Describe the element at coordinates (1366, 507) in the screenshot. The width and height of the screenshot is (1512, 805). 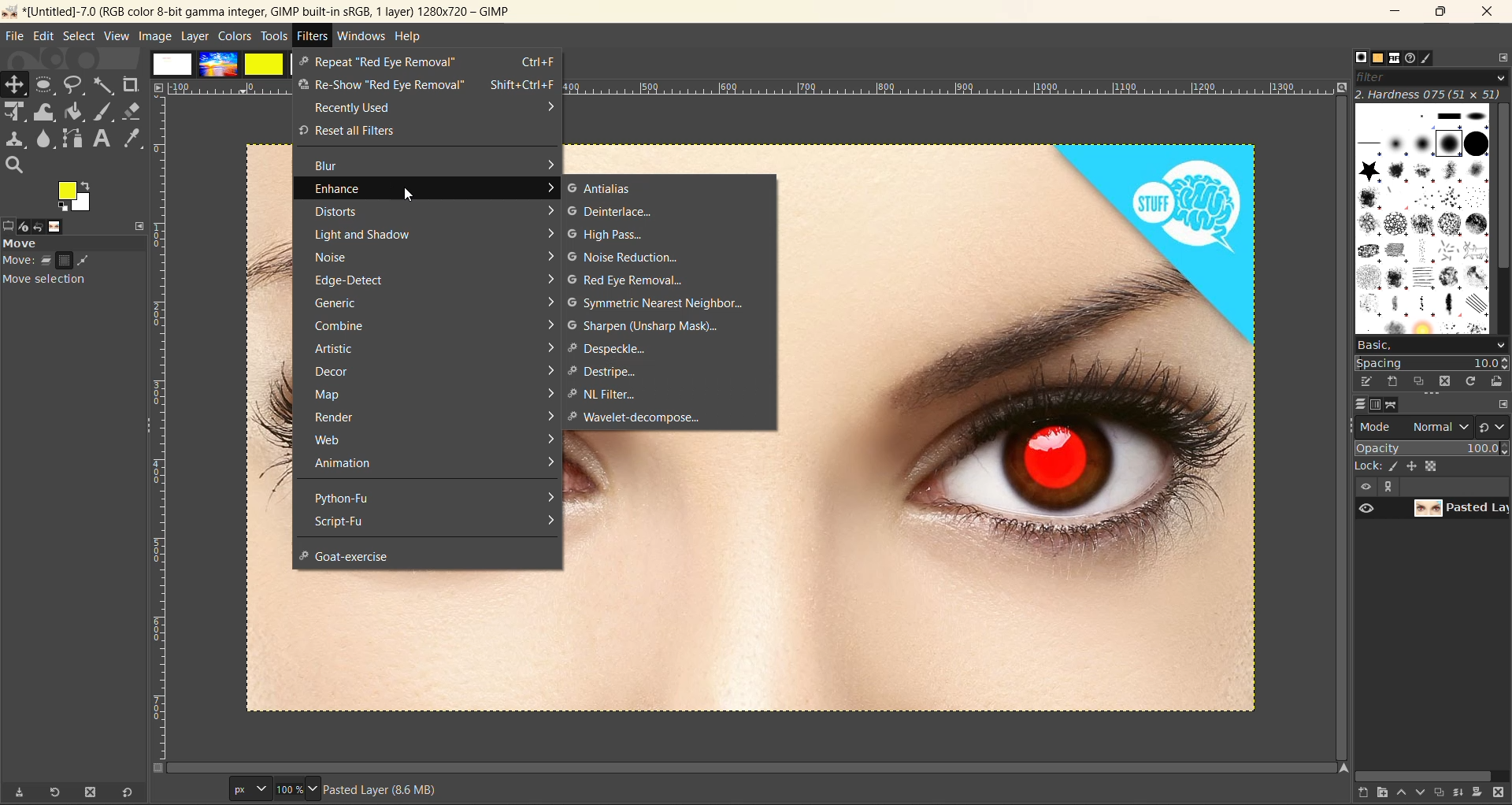
I see `preview` at that location.